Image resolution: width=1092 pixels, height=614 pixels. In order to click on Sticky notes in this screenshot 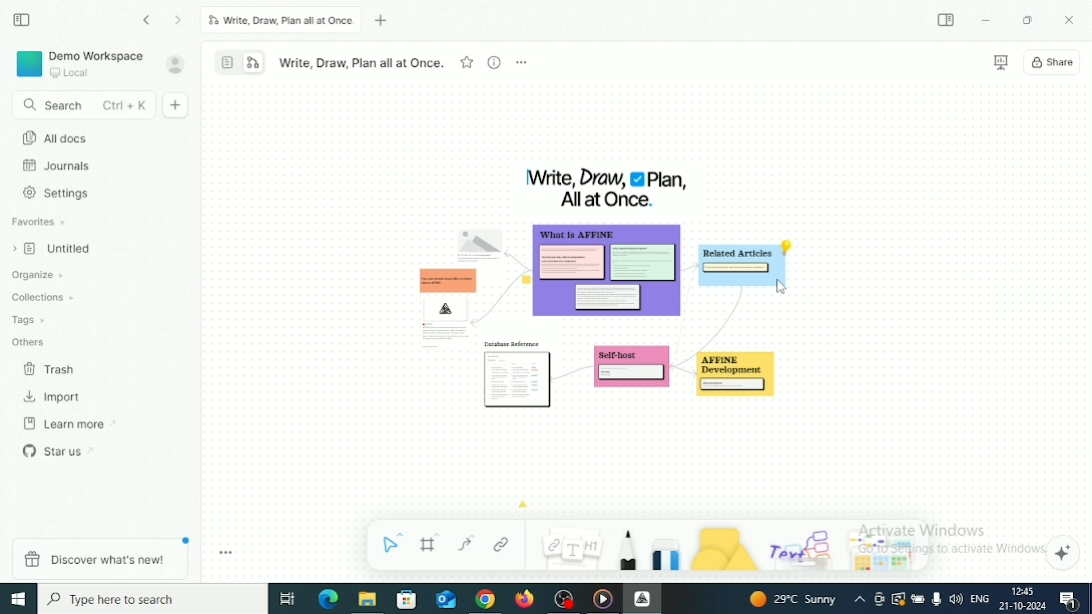, I will do `click(442, 302)`.